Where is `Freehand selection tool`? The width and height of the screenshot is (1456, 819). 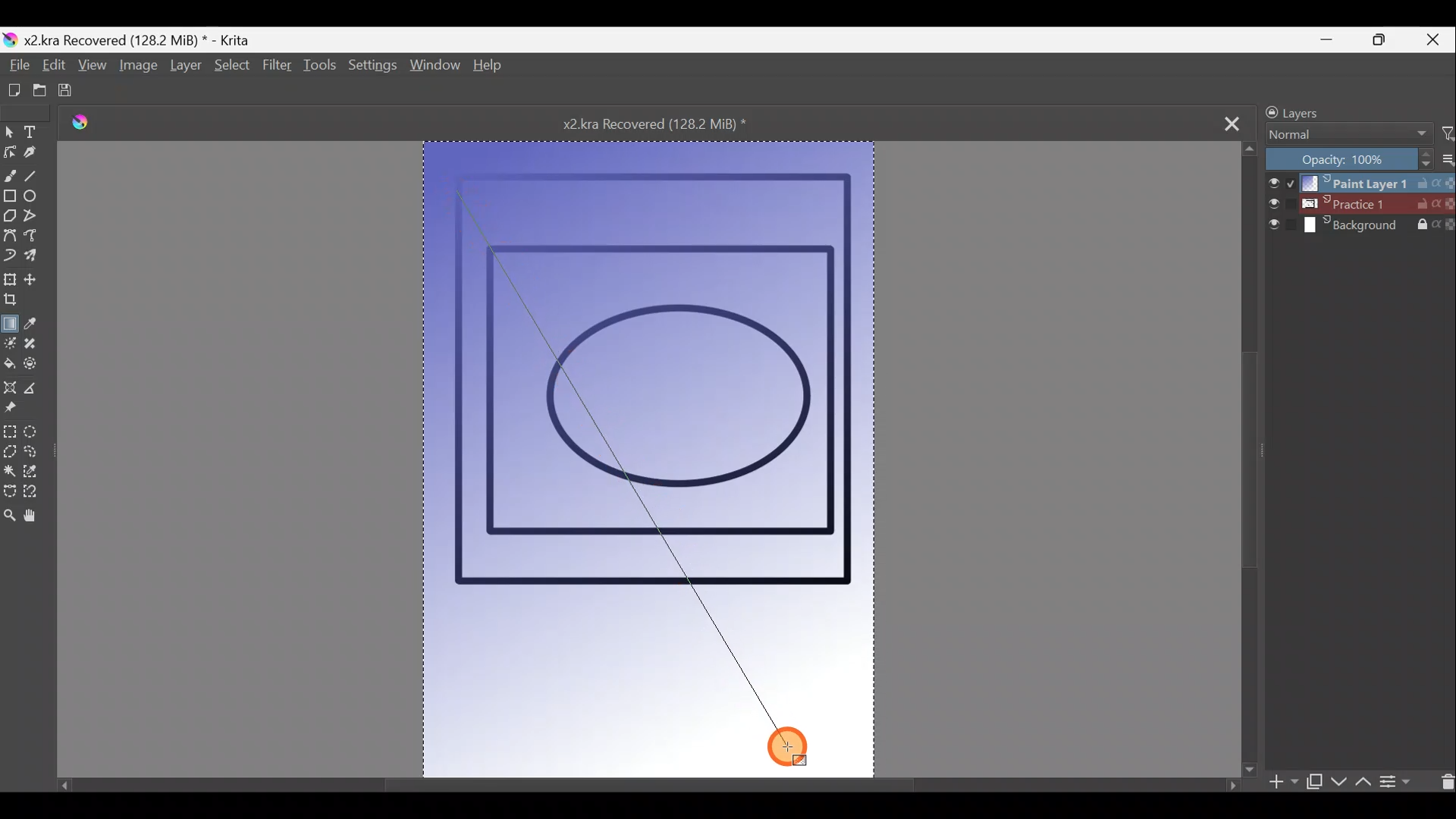 Freehand selection tool is located at coordinates (38, 454).